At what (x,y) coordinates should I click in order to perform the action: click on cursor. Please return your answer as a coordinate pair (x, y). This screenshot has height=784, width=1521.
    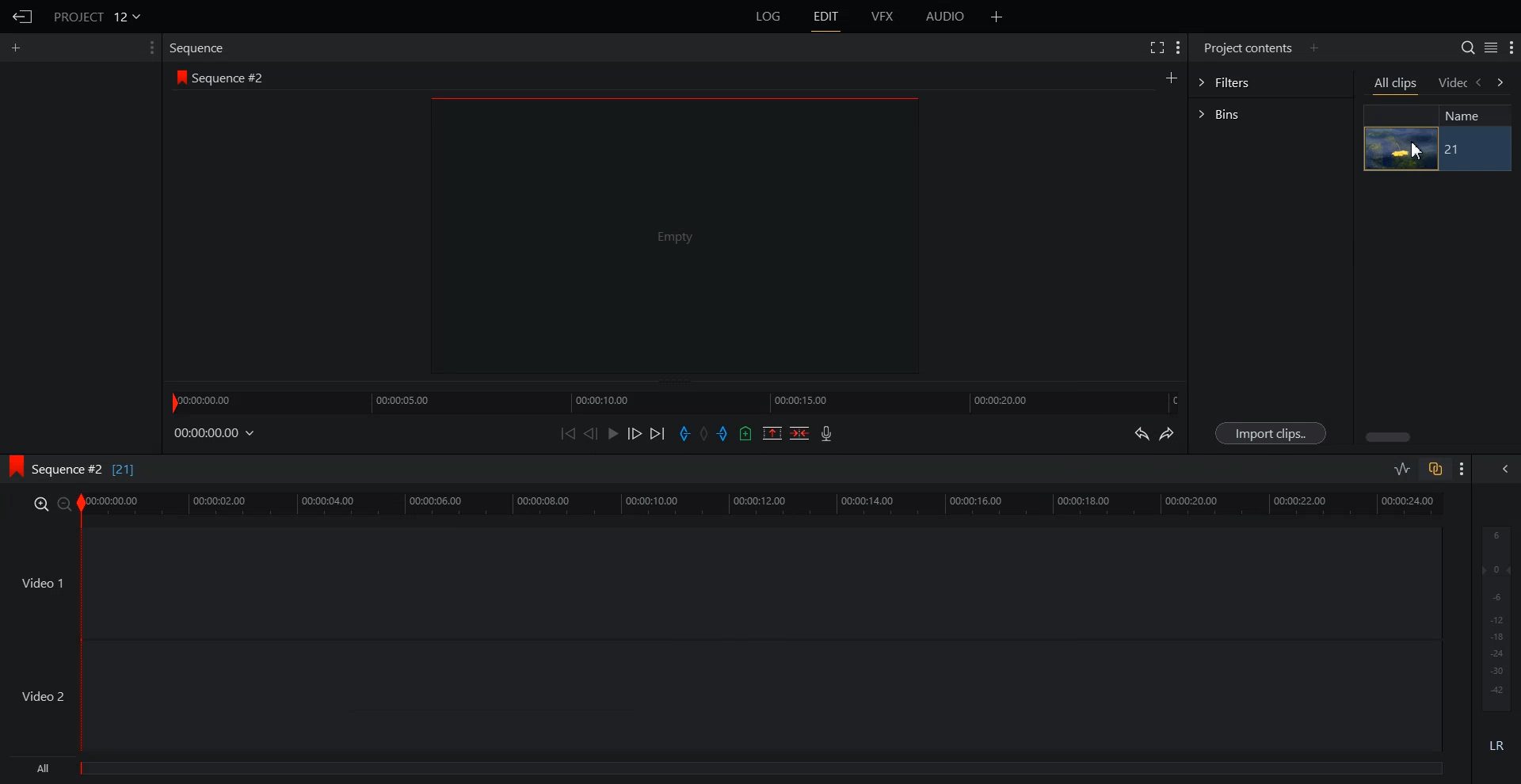
    Looking at the image, I should click on (1416, 150).